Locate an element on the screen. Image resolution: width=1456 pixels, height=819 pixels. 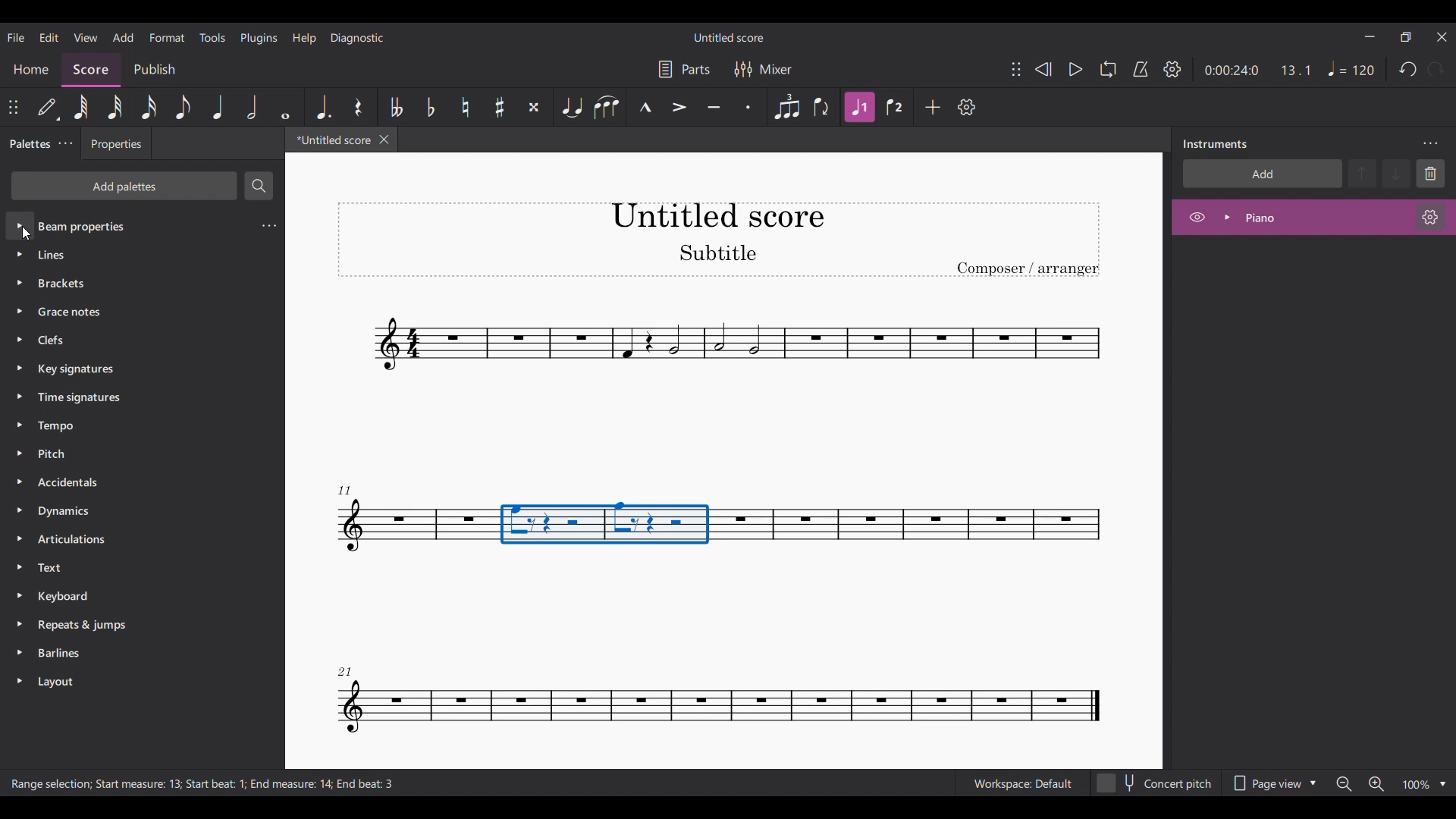
Clefs is located at coordinates (138, 339).